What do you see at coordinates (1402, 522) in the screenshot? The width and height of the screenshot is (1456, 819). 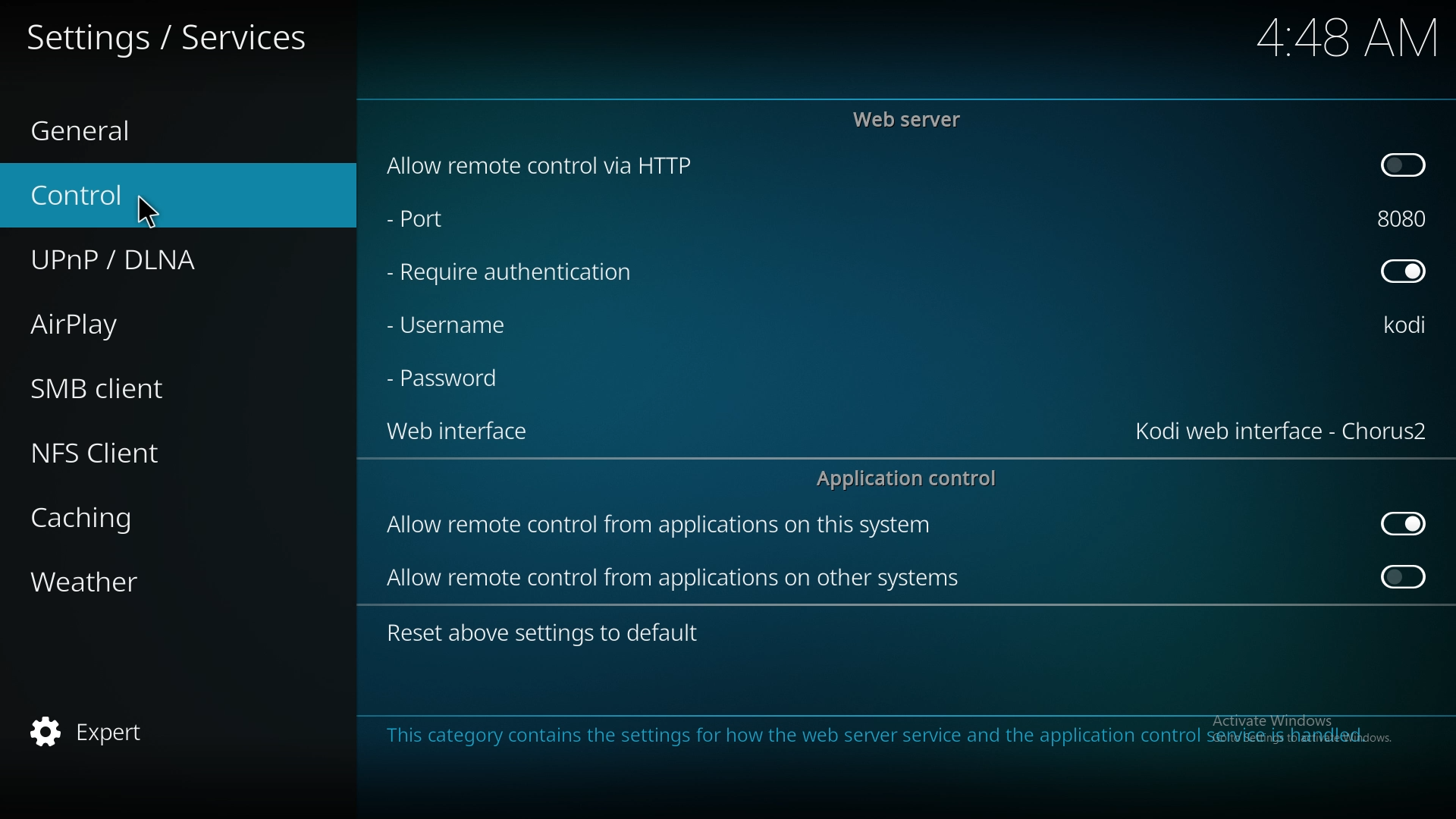 I see `off` at bounding box center [1402, 522].